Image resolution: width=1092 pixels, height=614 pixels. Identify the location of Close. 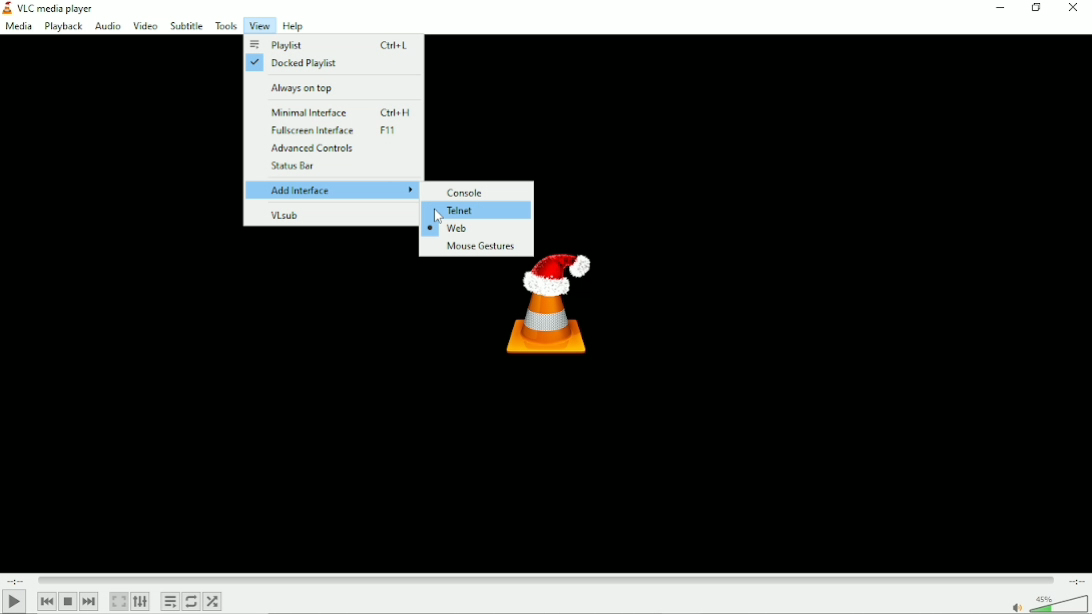
(1076, 10).